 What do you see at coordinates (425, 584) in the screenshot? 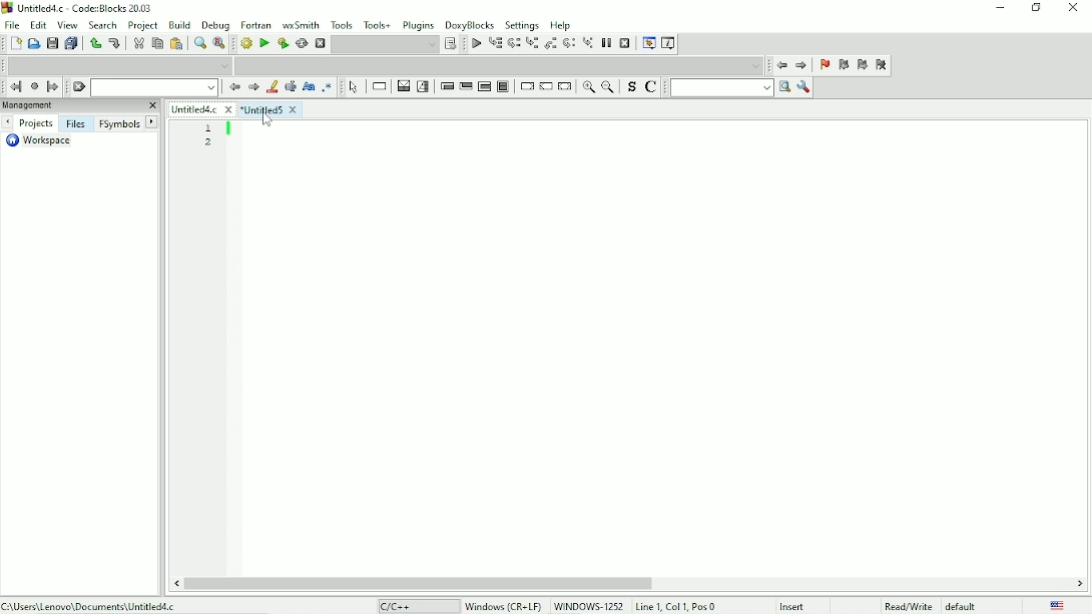
I see `Horizontal scrollbar` at bounding box center [425, 584].